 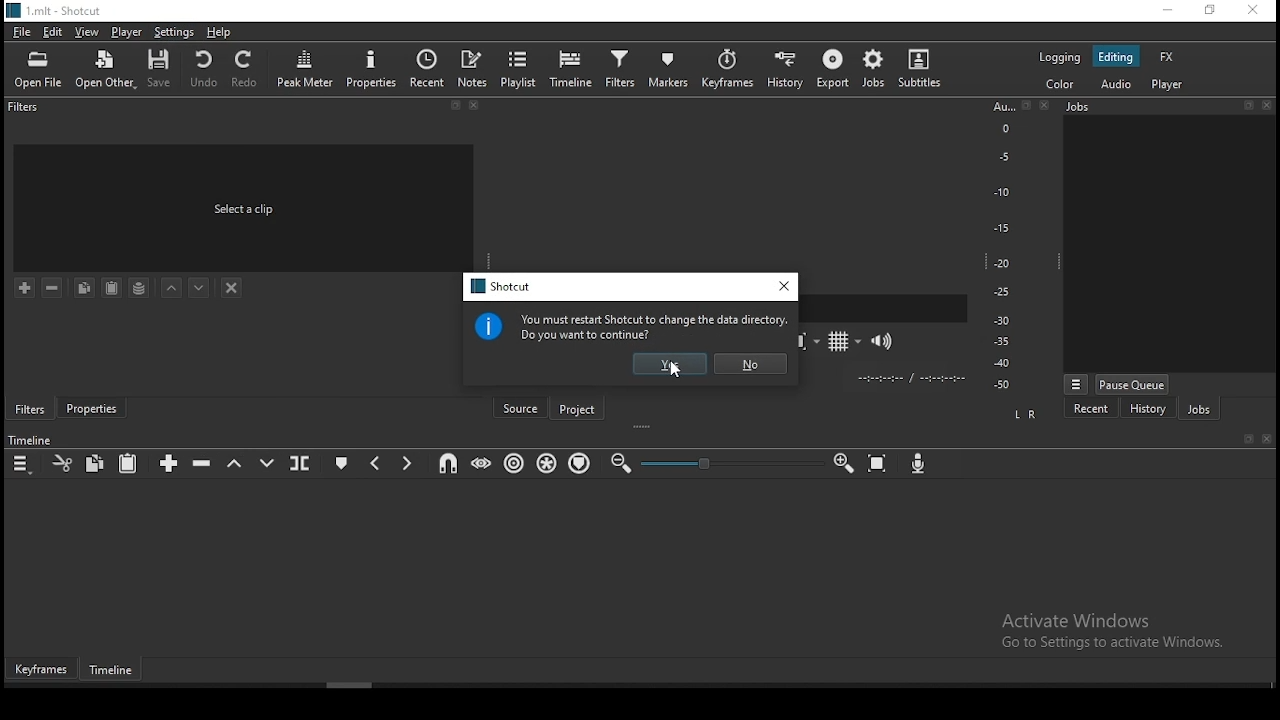 What do you see at coordinates (831, 72) in the screenshot?
I see `export` at bounding box center [831, 72].